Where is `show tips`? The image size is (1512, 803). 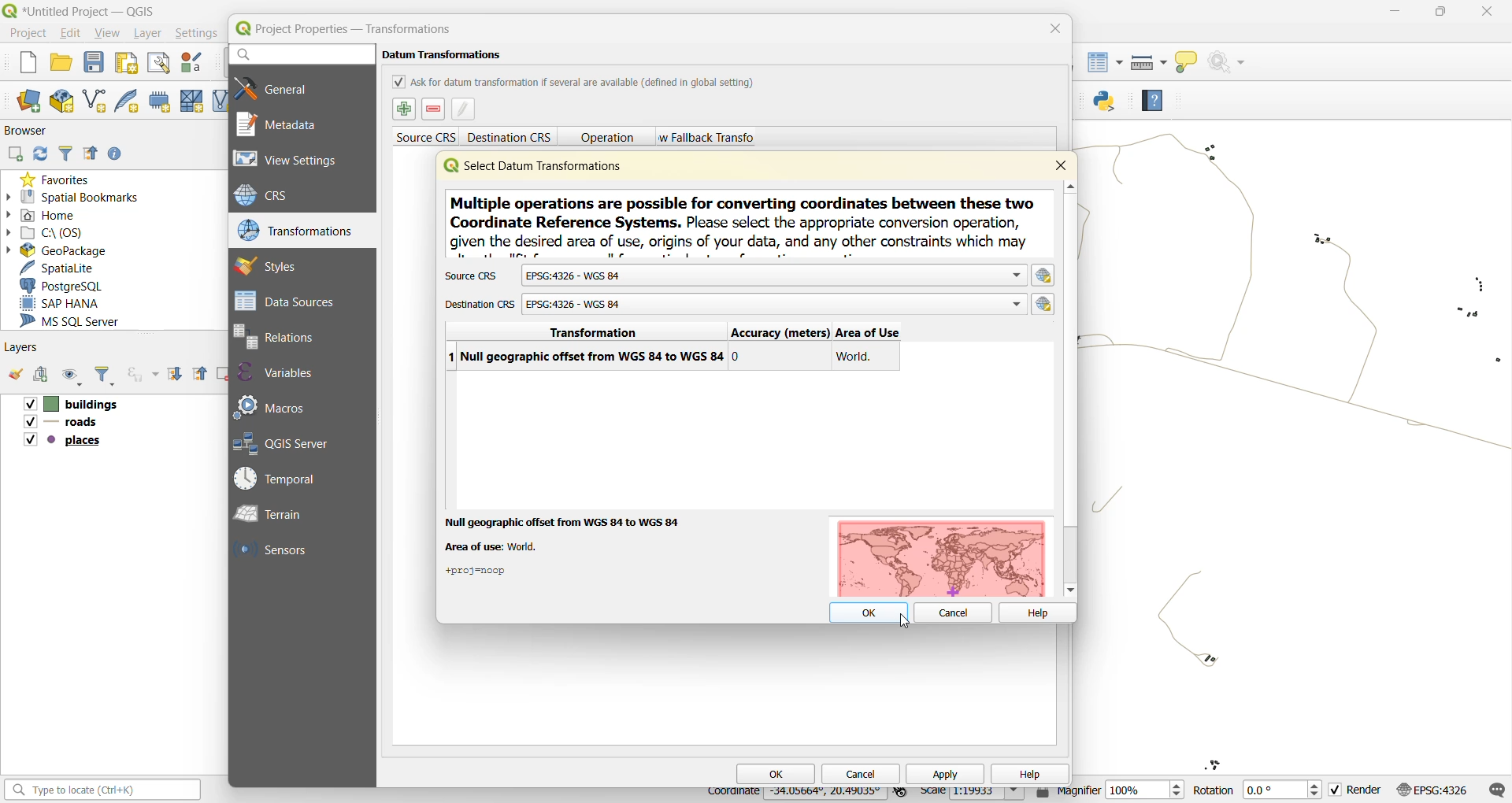 show tips is located at coordinates (1186, 64).